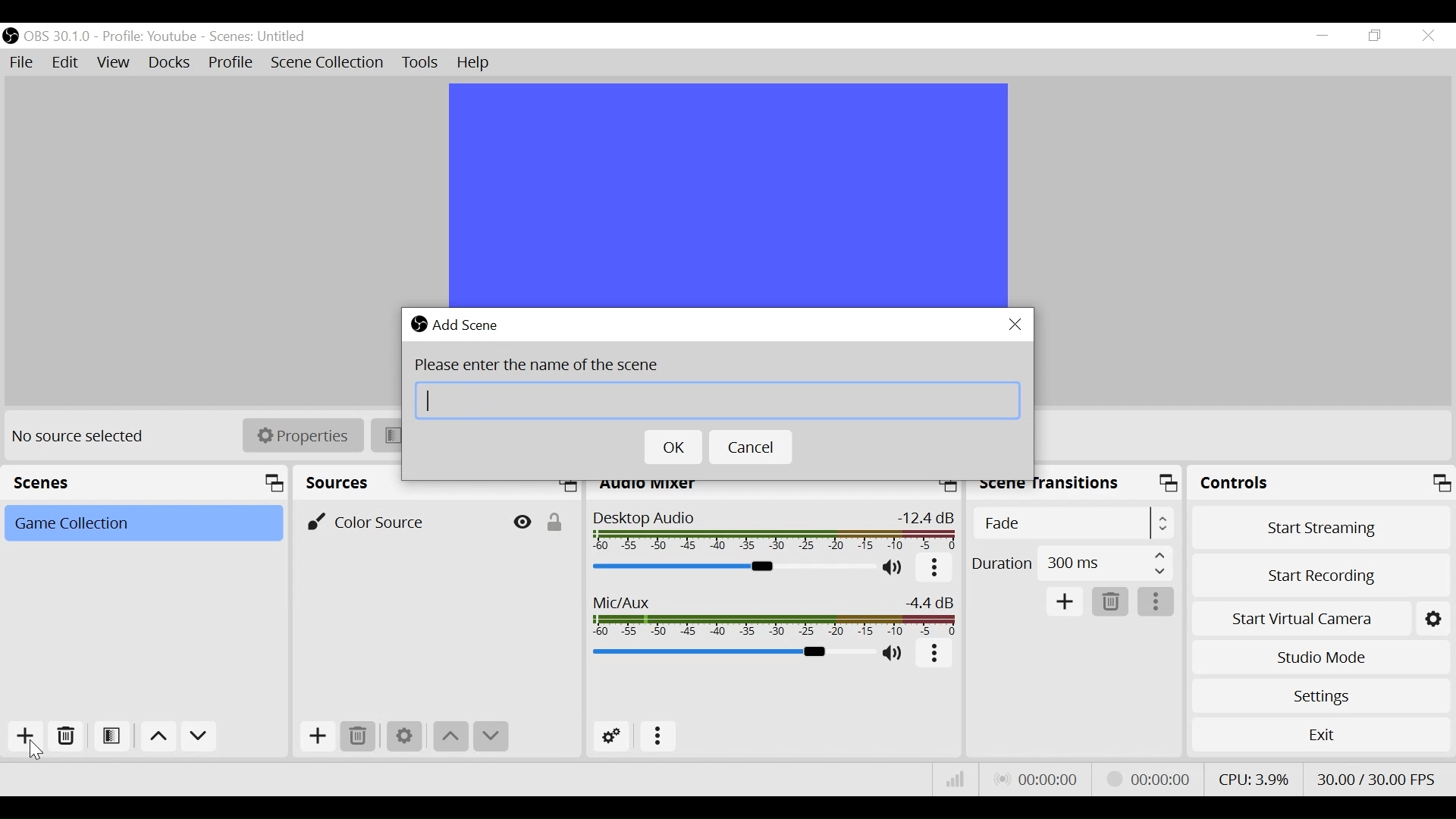  Describe the element at coordinates (1380, 778) in the screenshot. I see `Frame Per Second` at that location.